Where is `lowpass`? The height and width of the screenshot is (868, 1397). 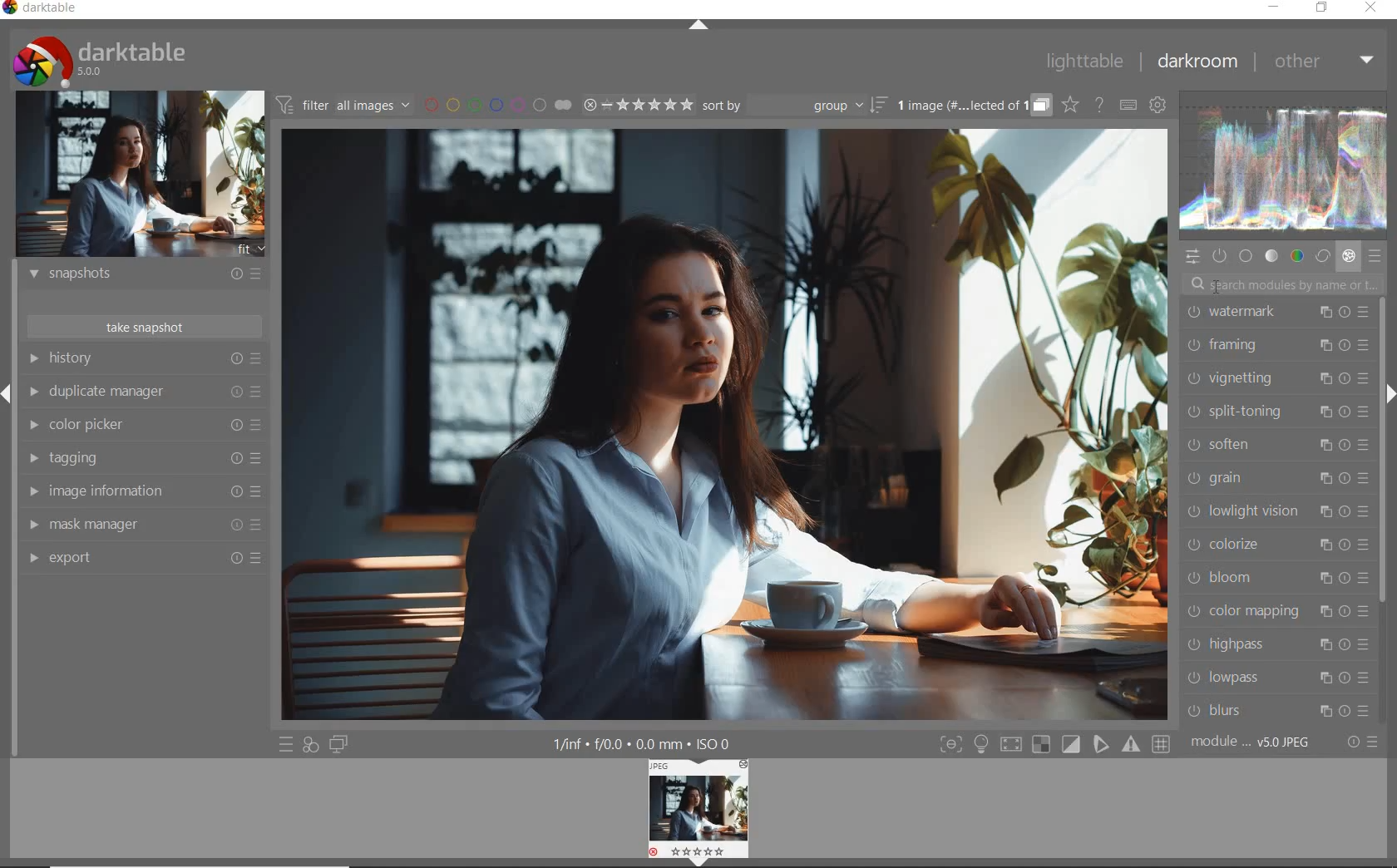
lowpass is located at coordinates (1281, 677).